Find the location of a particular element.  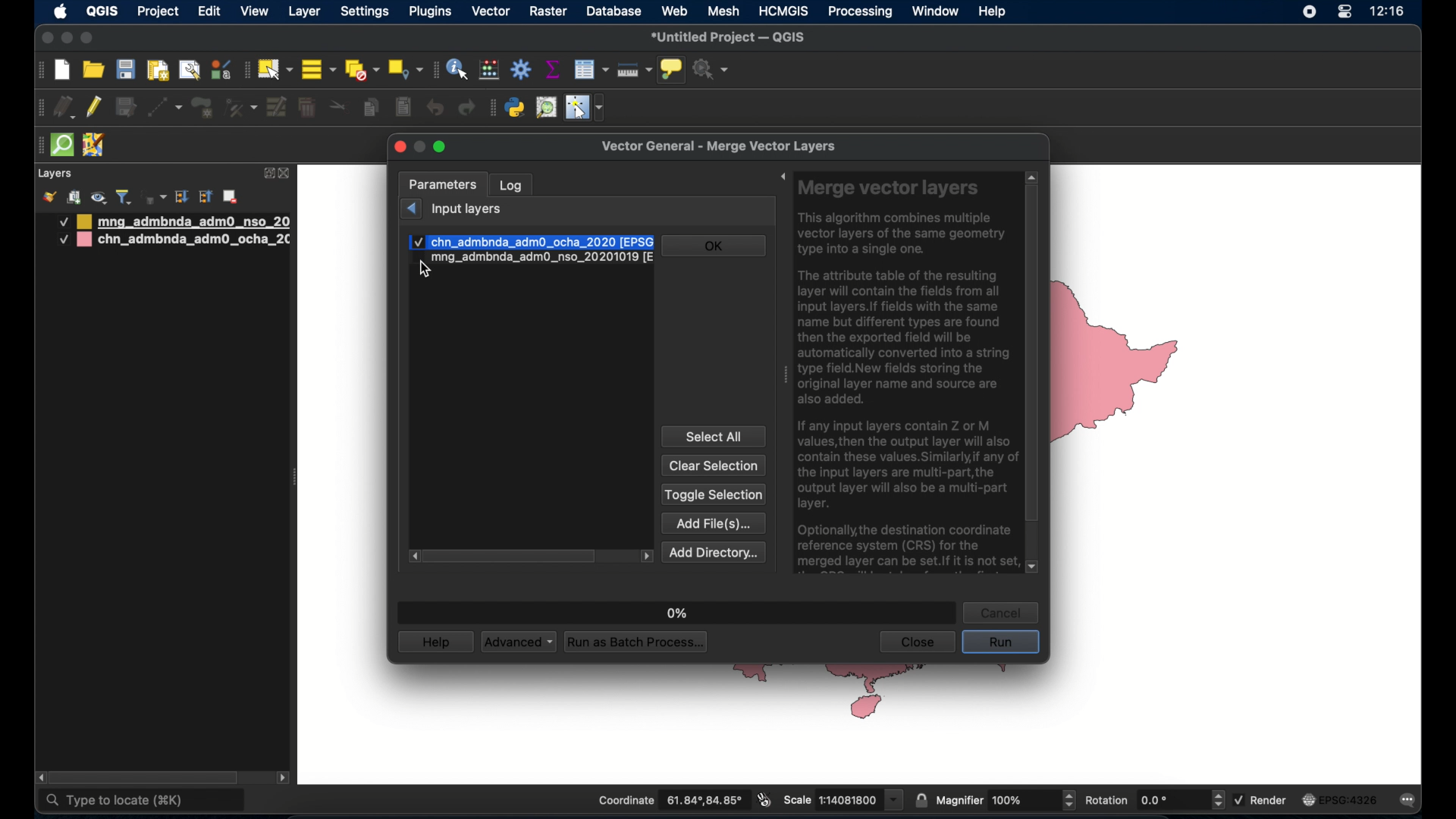

select by location  is located at coordinates (405, 68).